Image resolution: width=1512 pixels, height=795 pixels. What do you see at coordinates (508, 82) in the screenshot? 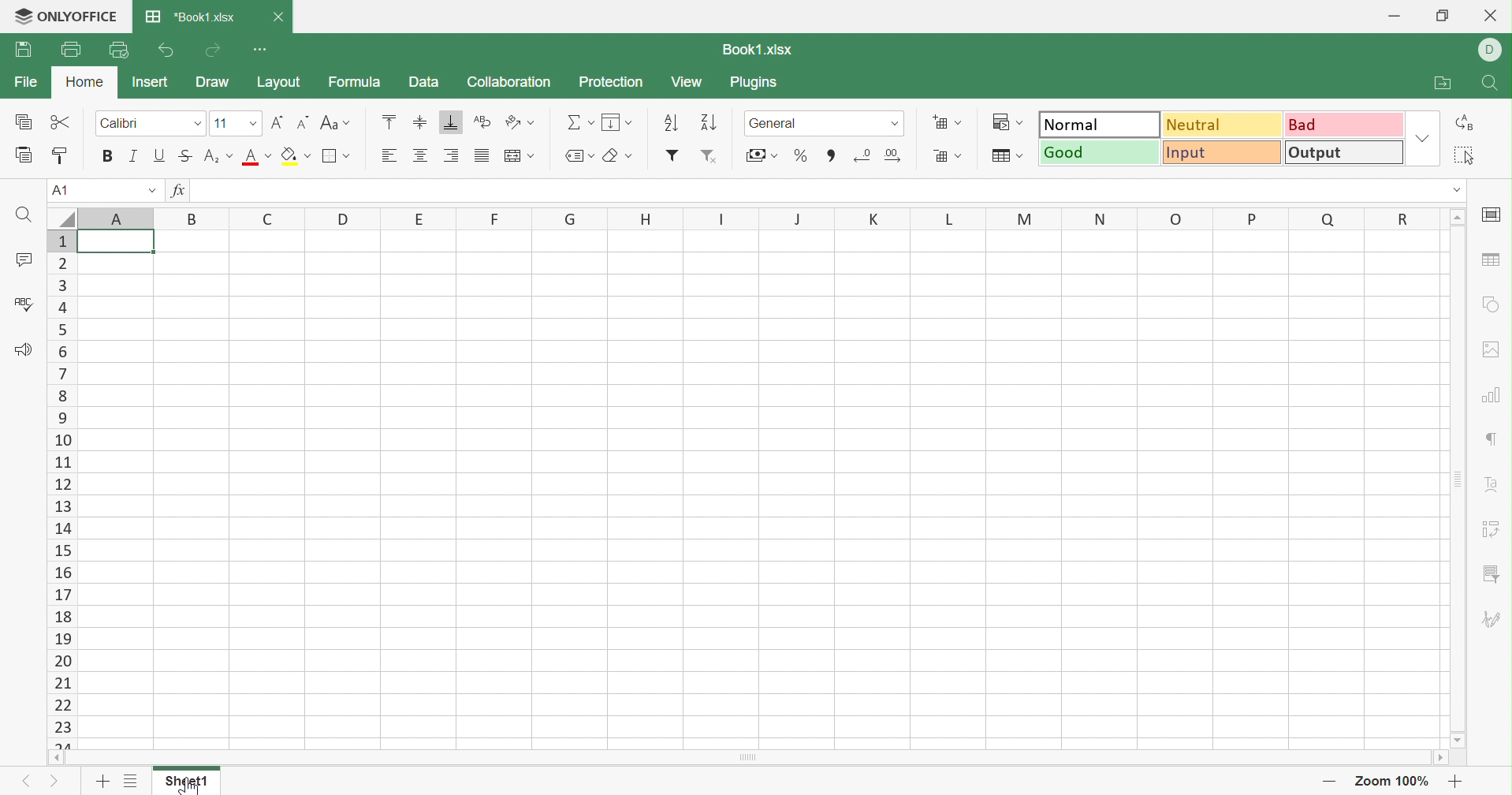
I see `Collaboration` at bounding box center [508, 82].